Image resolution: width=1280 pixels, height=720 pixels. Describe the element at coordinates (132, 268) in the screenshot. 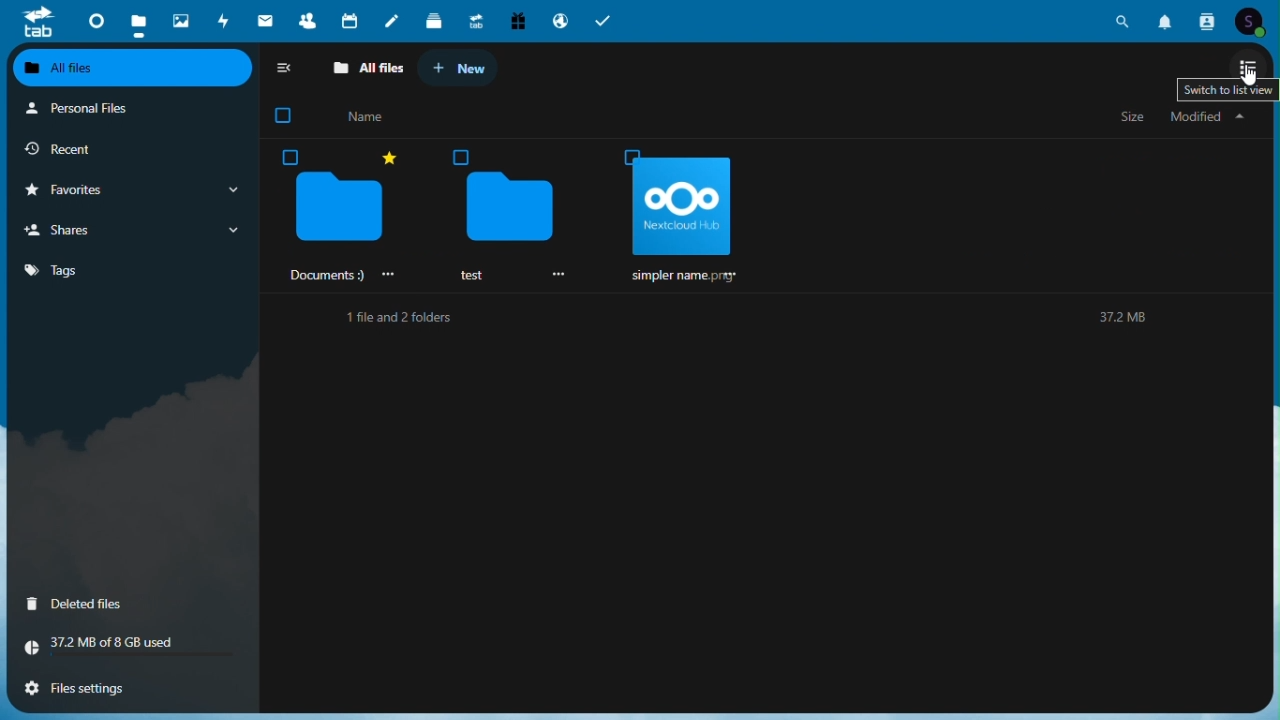

I see `Tag` at that location.